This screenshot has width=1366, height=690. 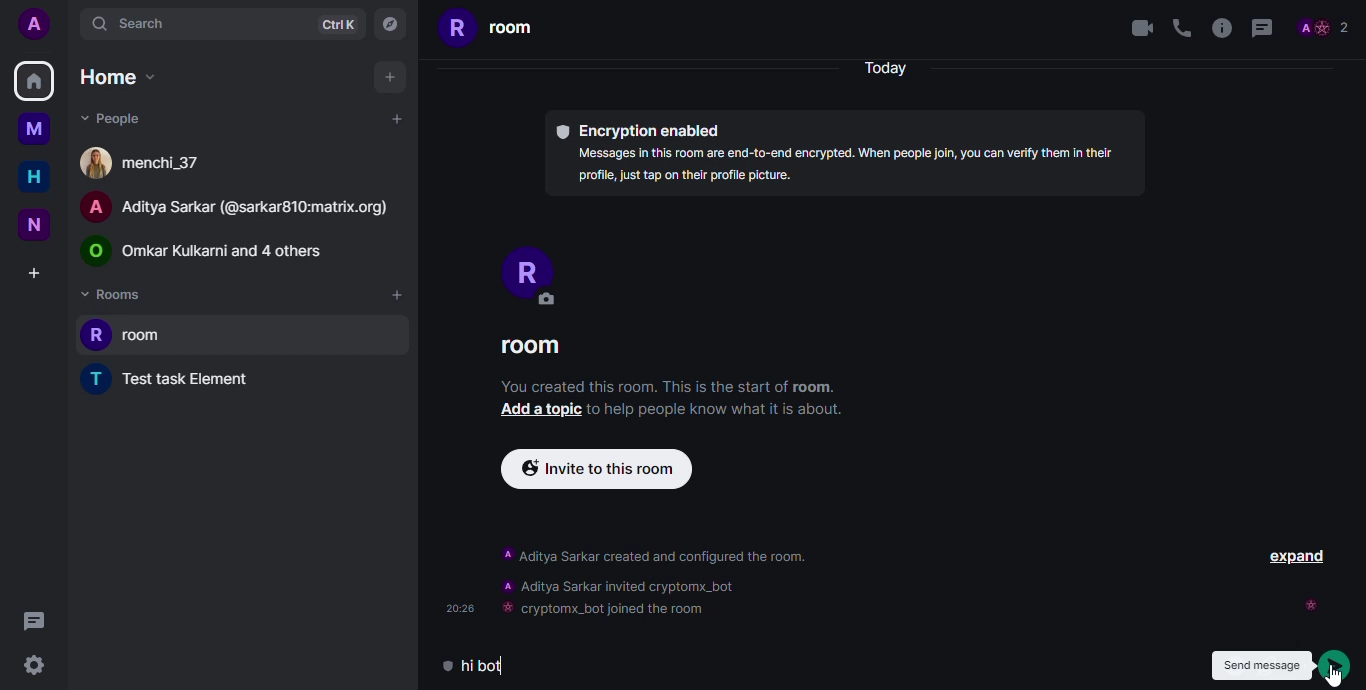 I want to click on send, so click(x=1334, y=666).